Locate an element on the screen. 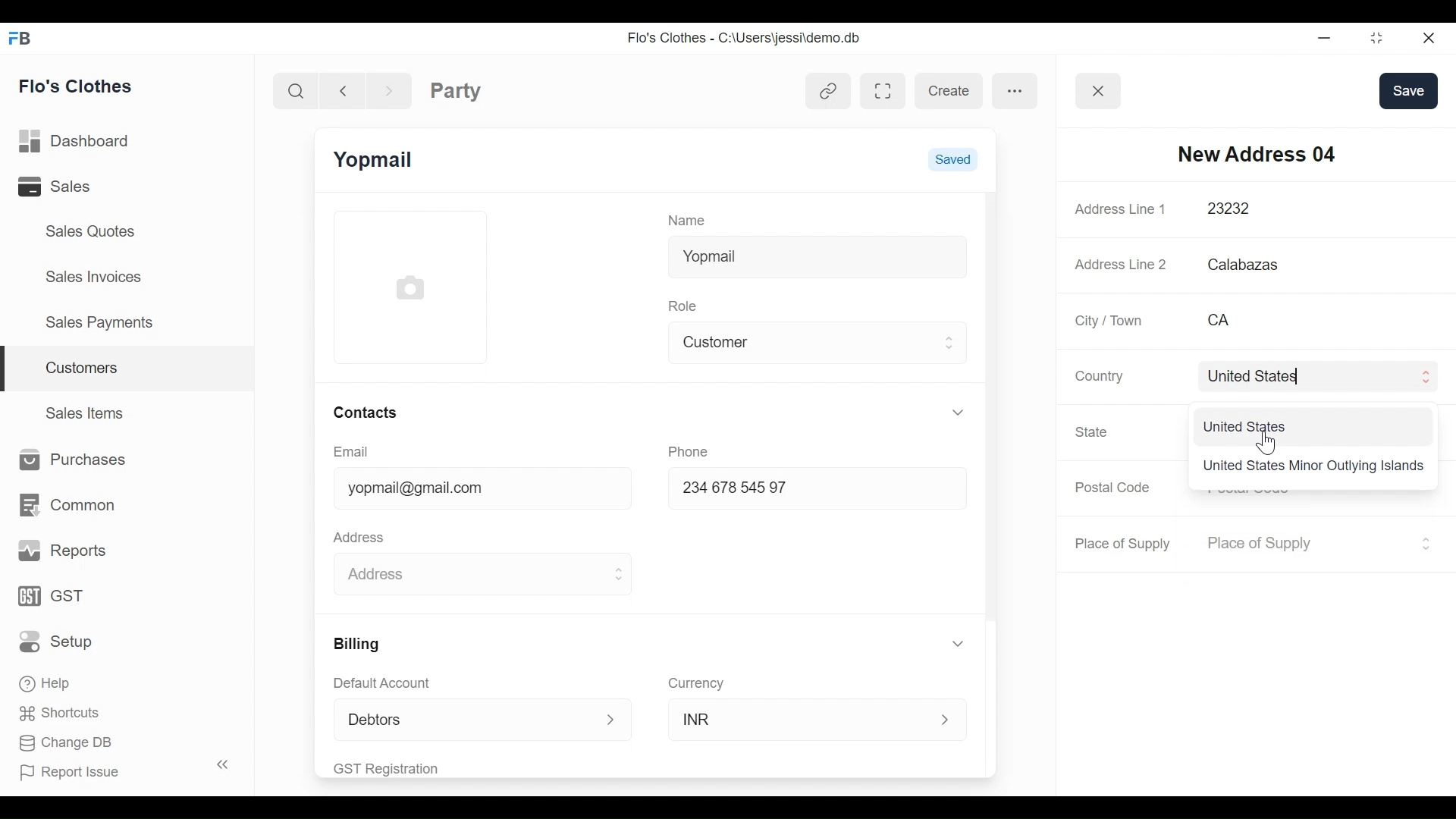 The width and height of the screenshot is (1456, 819). GST is located at coordinates (53, 598).